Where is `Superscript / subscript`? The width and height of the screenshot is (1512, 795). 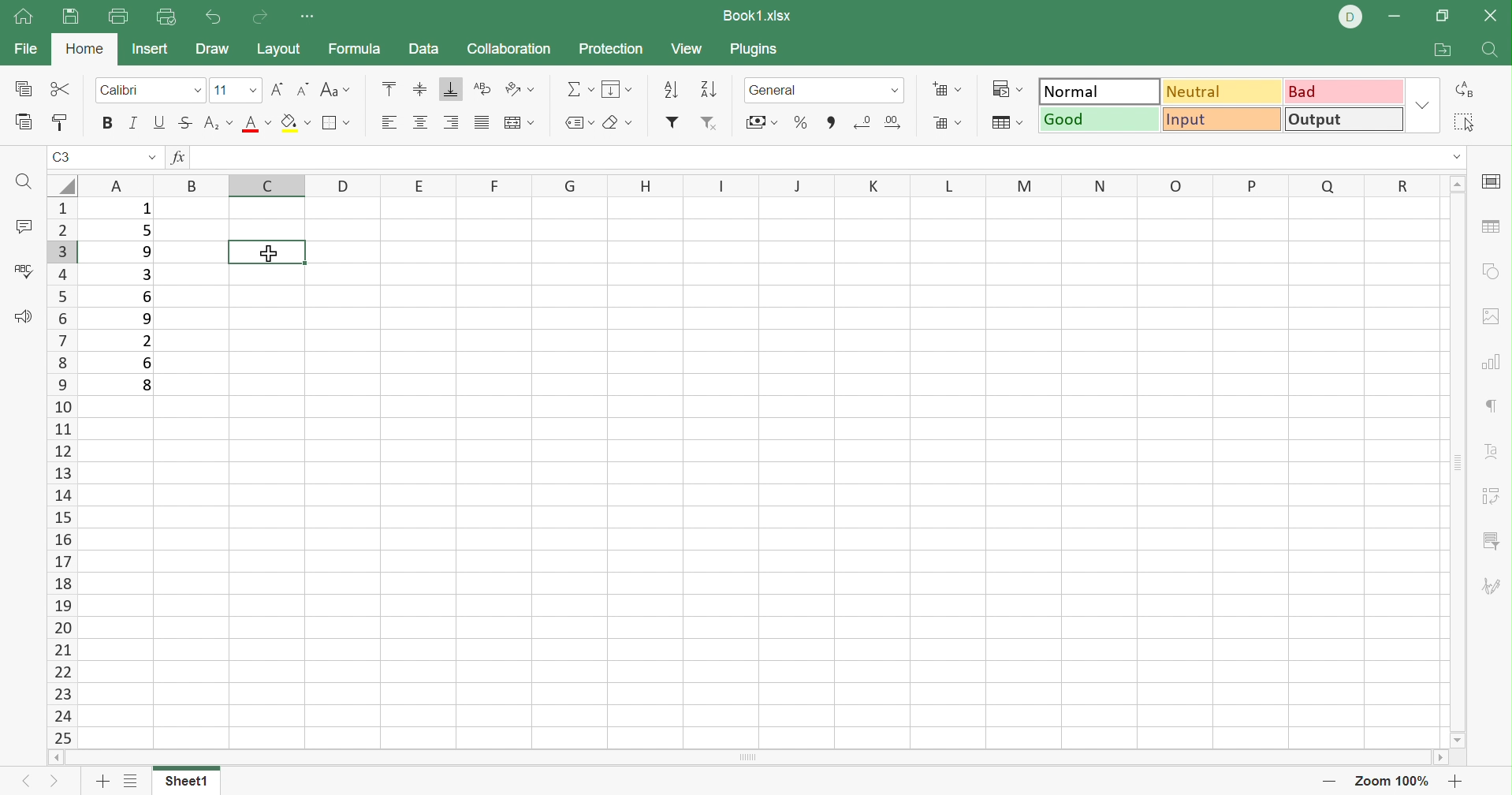
Superscript / subscript is located at coordinates (218, 123).